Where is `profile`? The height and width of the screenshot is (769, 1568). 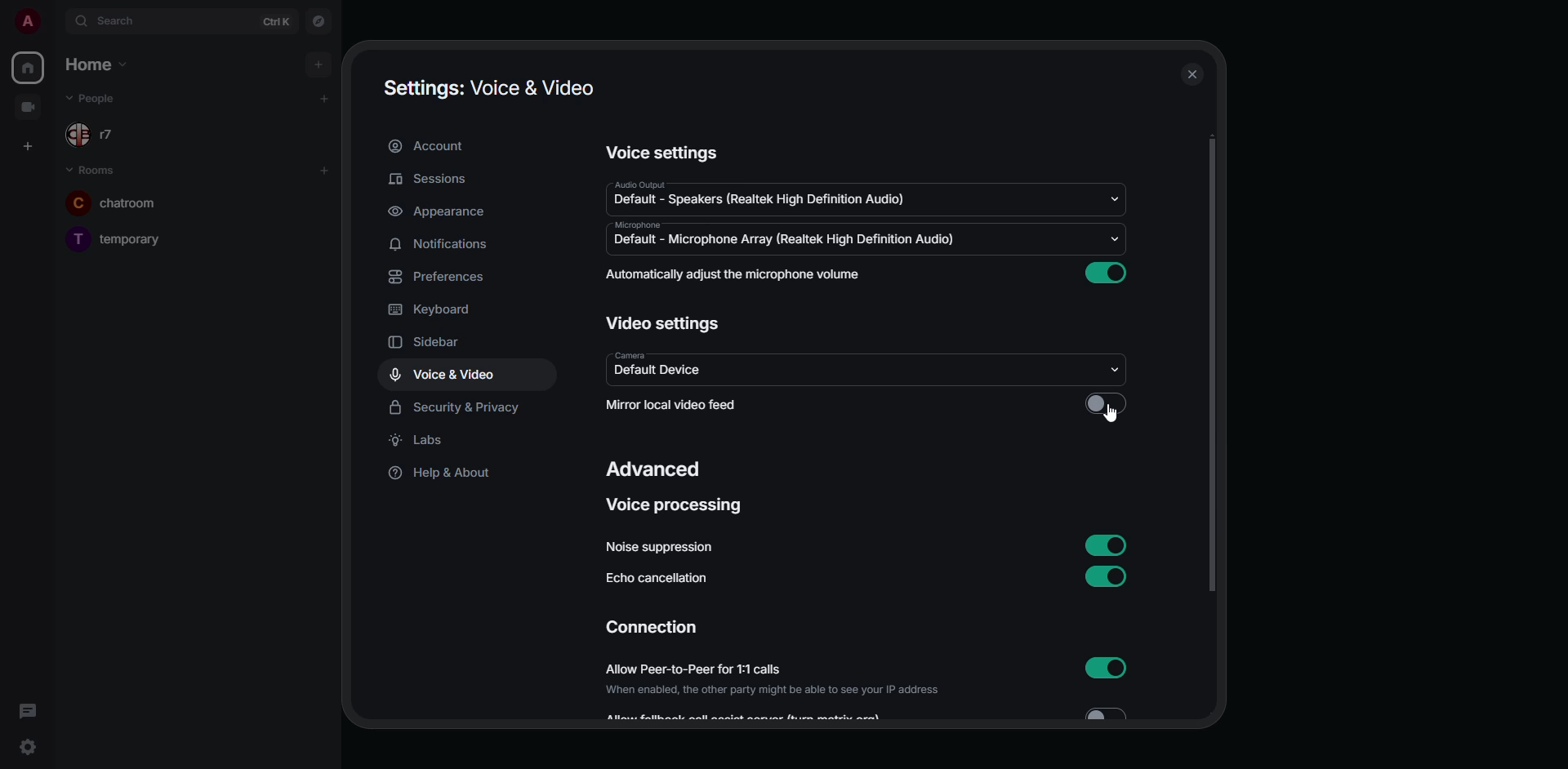
profile is located at coordinates (25, 21).